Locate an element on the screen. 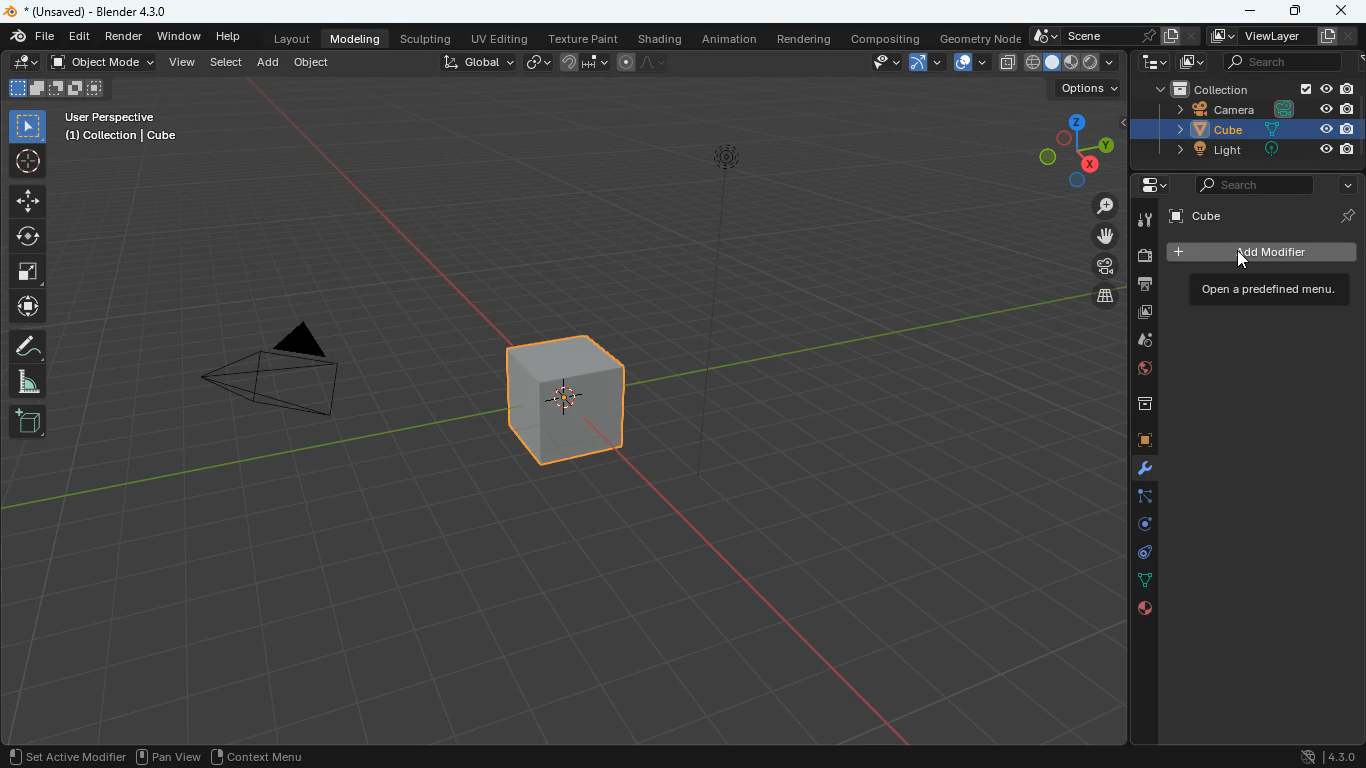  cube is located at coordinates (1244, 130).